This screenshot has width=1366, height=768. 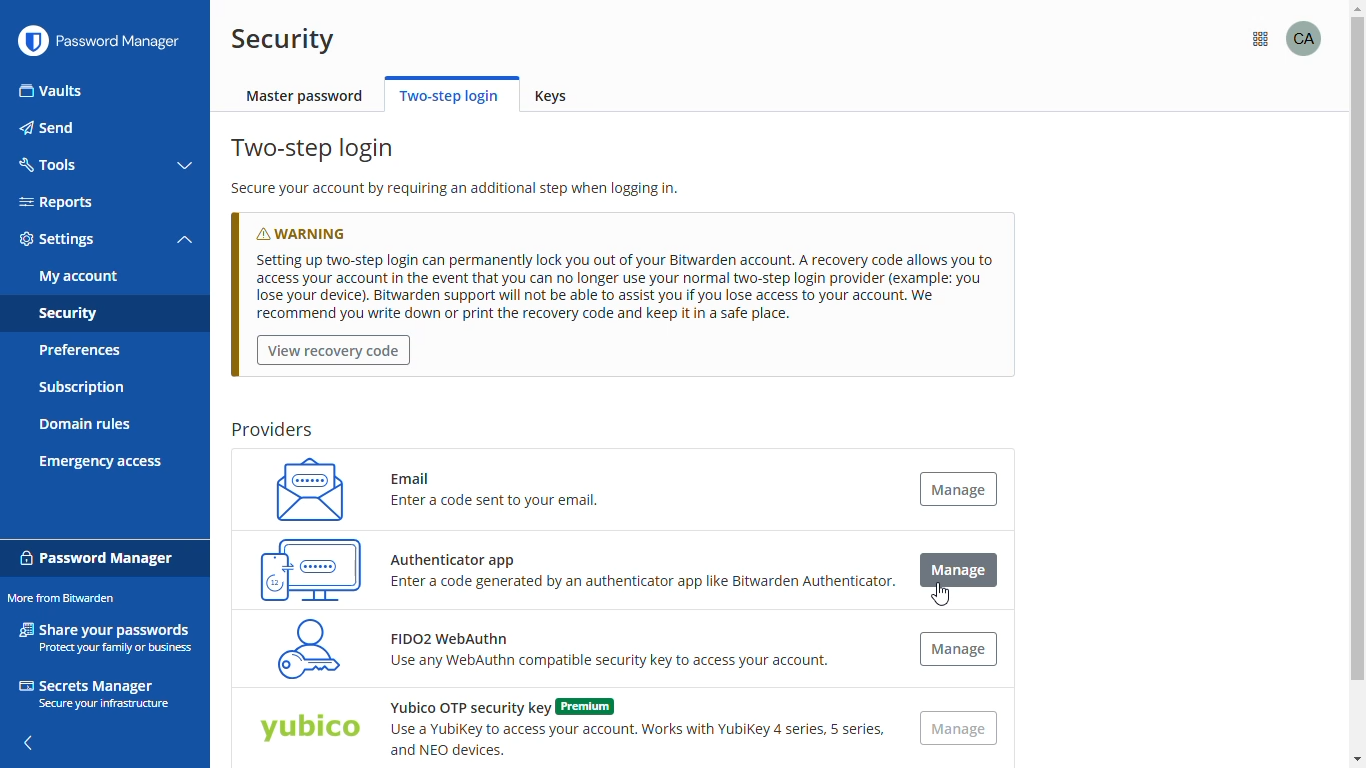 I want to click on keys, so click(x=557, y=97).